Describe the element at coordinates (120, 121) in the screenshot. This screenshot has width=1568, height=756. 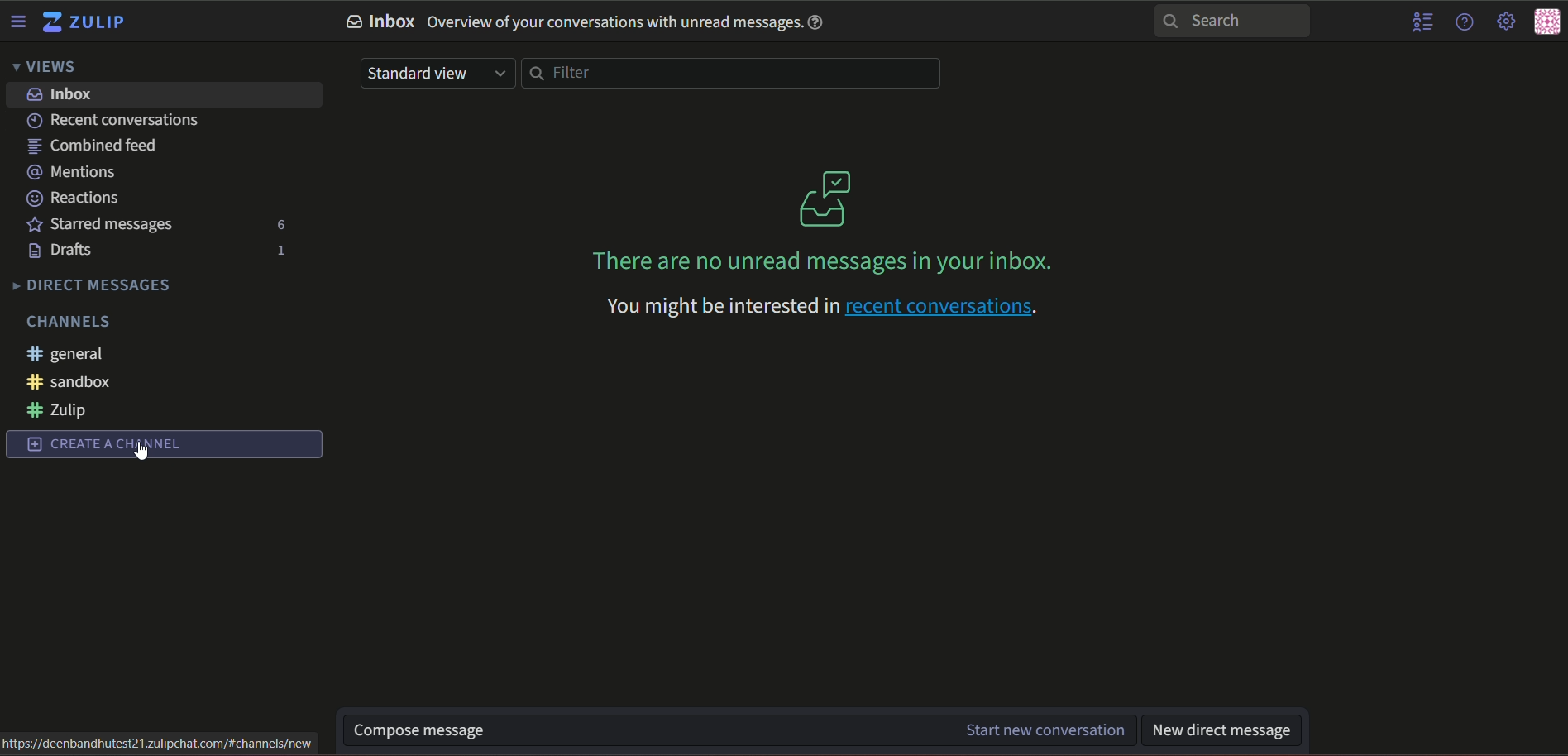
I see `recent conversations` at that location.